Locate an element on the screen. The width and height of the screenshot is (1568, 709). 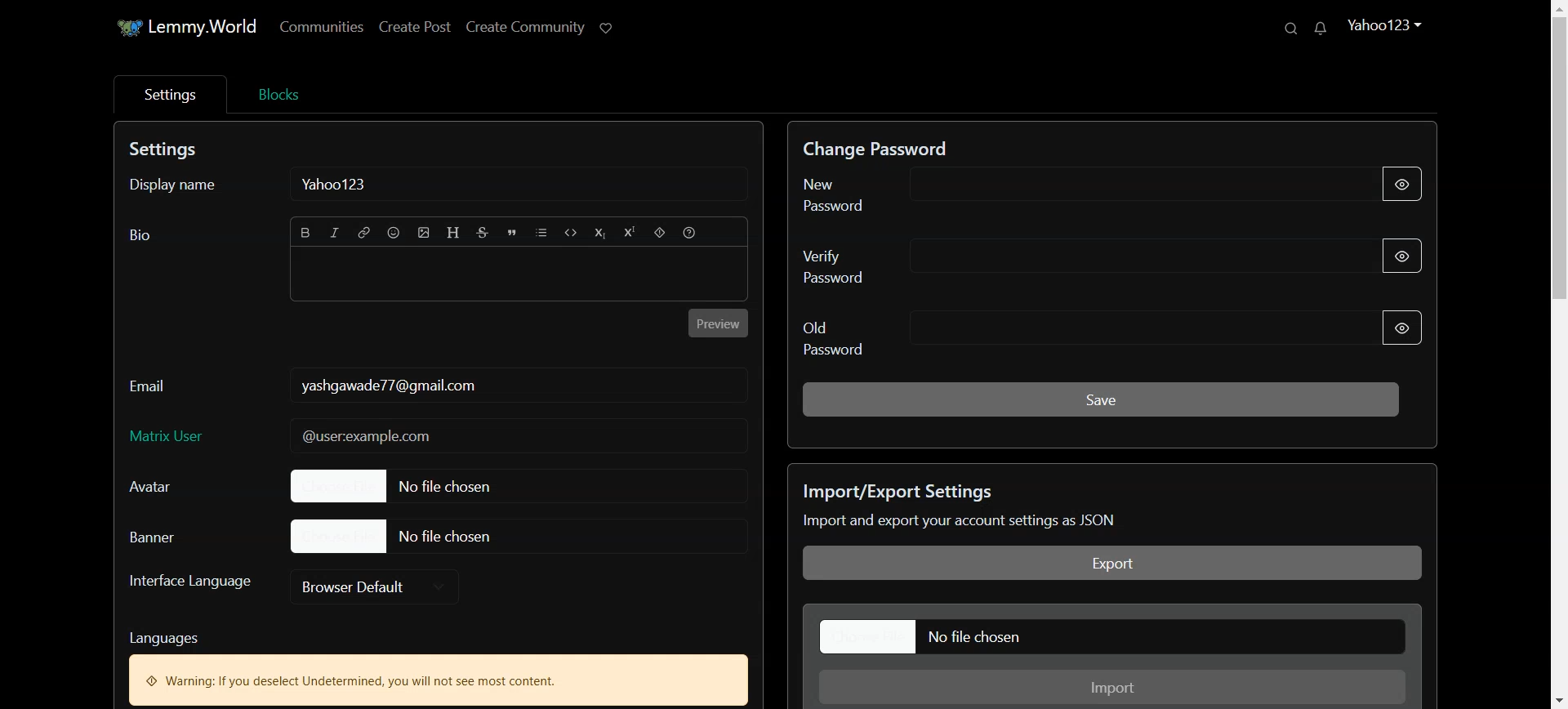
Email is located at coordinates (150, 381).